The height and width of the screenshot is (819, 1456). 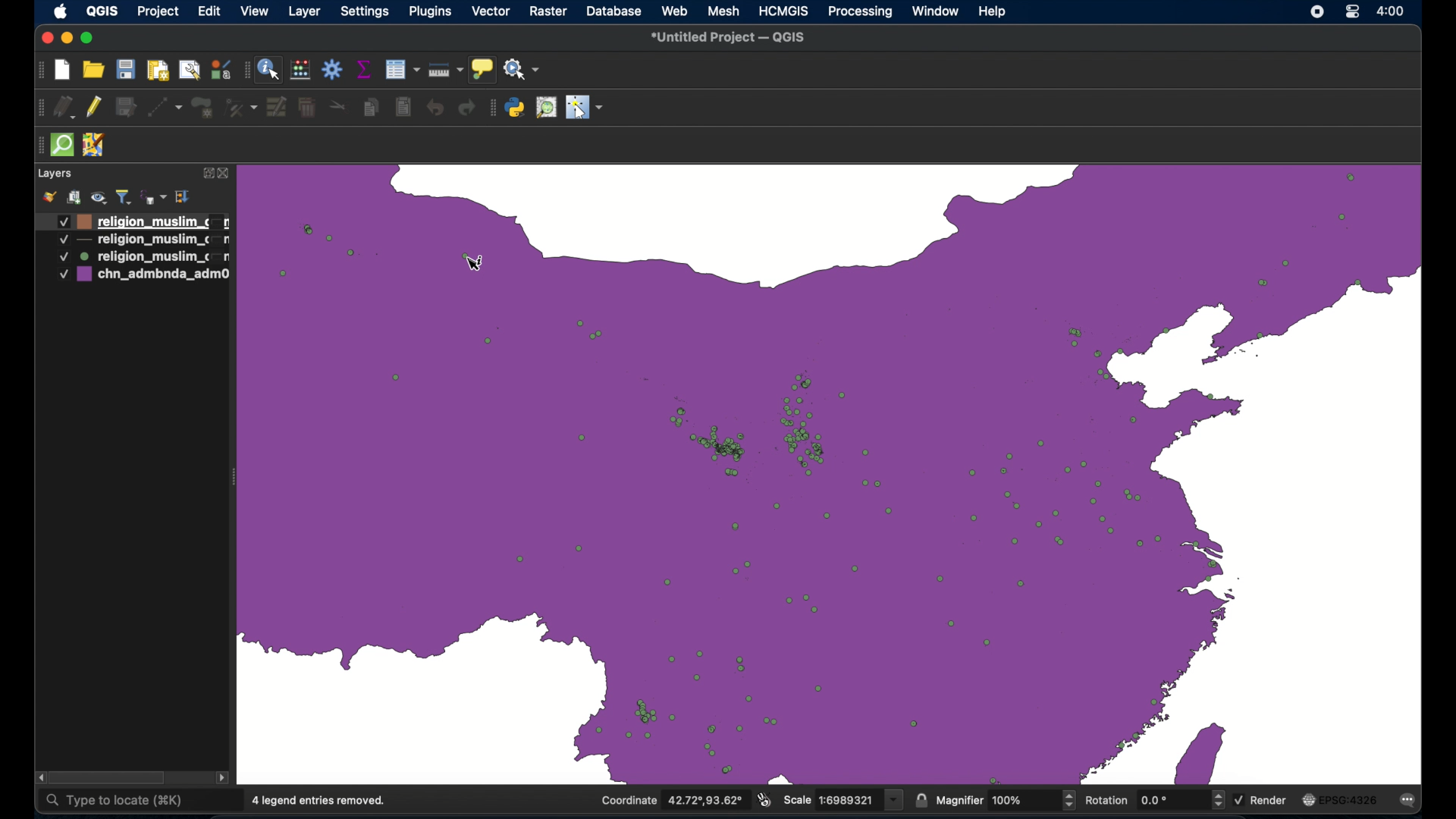 What do you see at coordinates (66, 108) in the screenshot?
I see `current edits` at bounding box center [66, 108].